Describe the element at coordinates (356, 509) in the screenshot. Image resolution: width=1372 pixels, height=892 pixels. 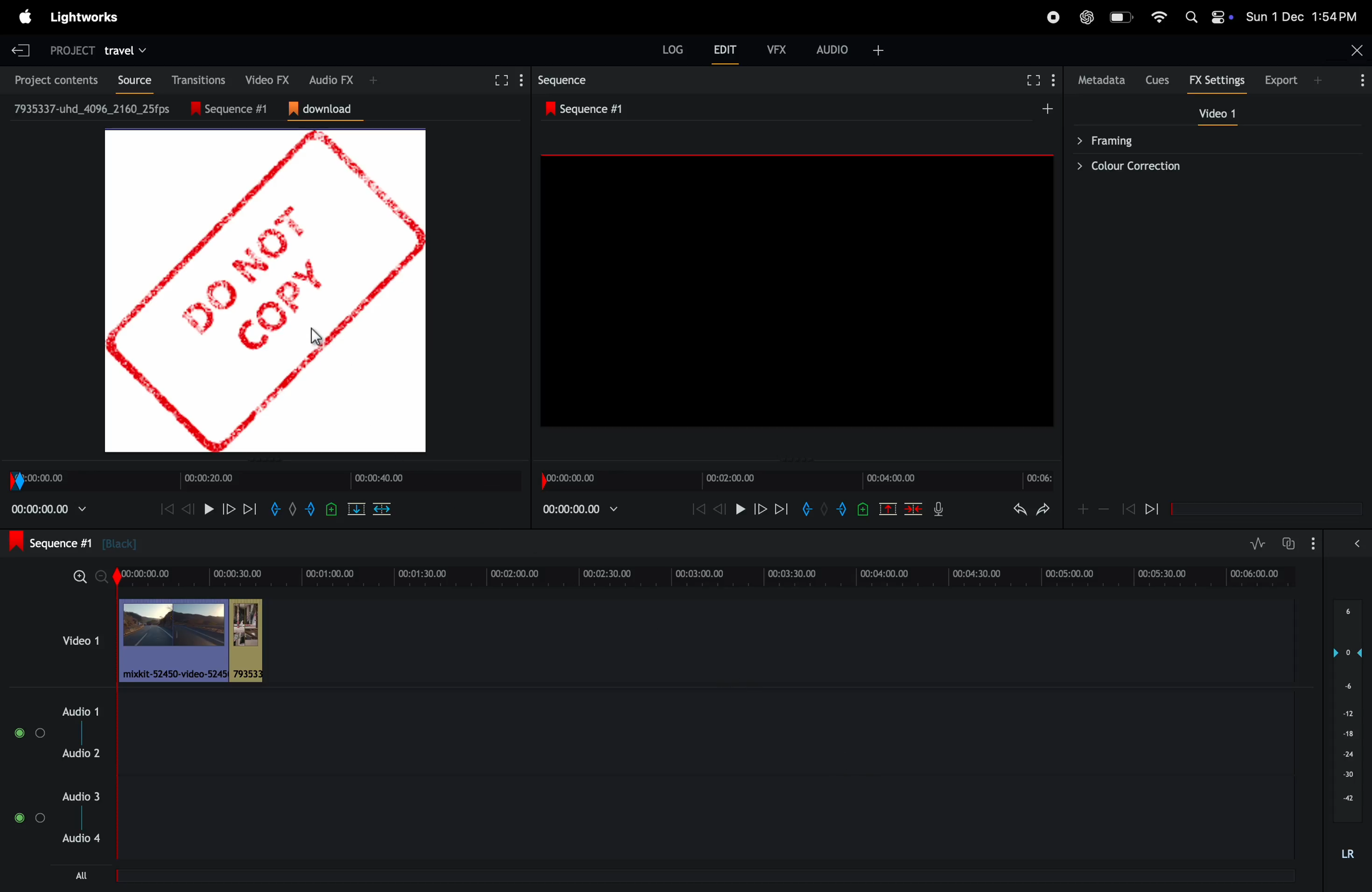
I see `cut` at that location.